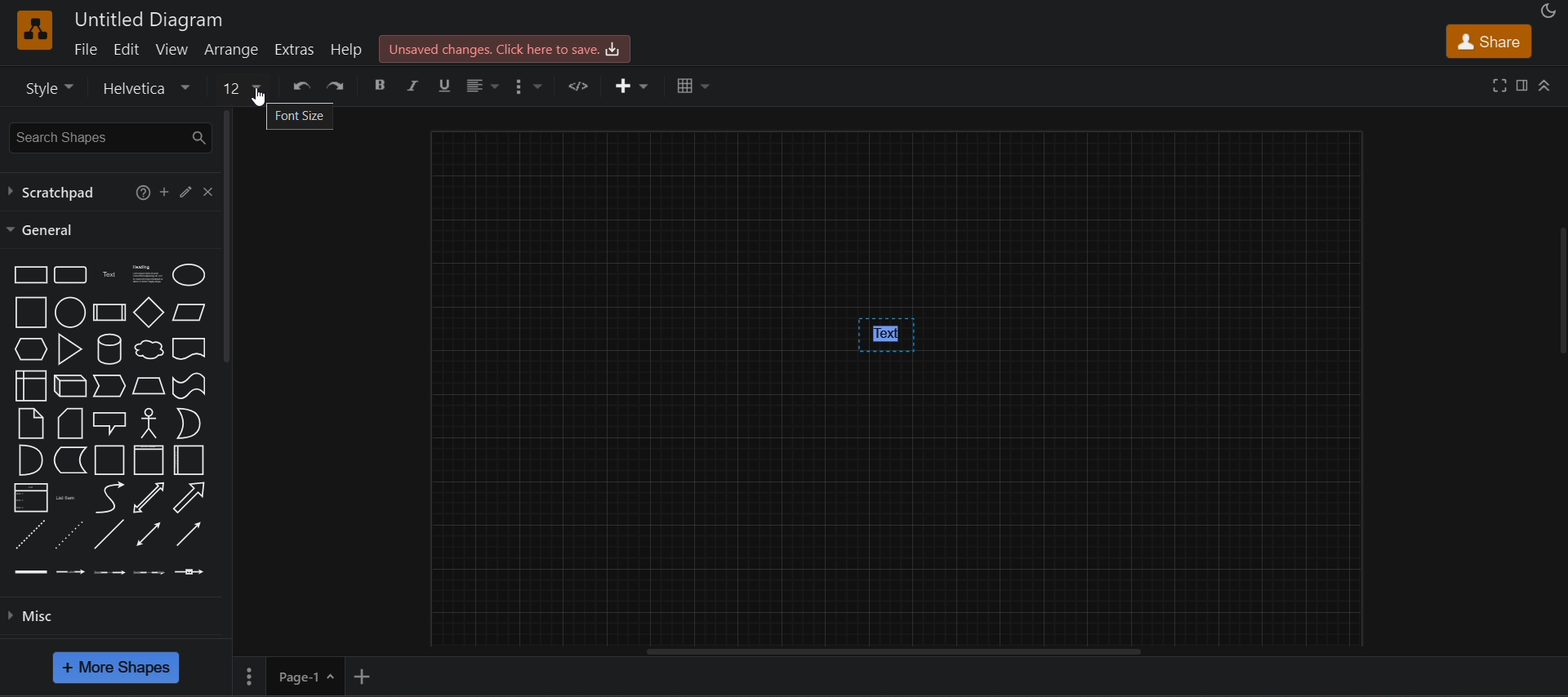 The width and height of the screenshot is (1568, 697). What do you see at coordinates (70, 312) in the screenshot?
I see `Circle` at bounding box center [70, 312].